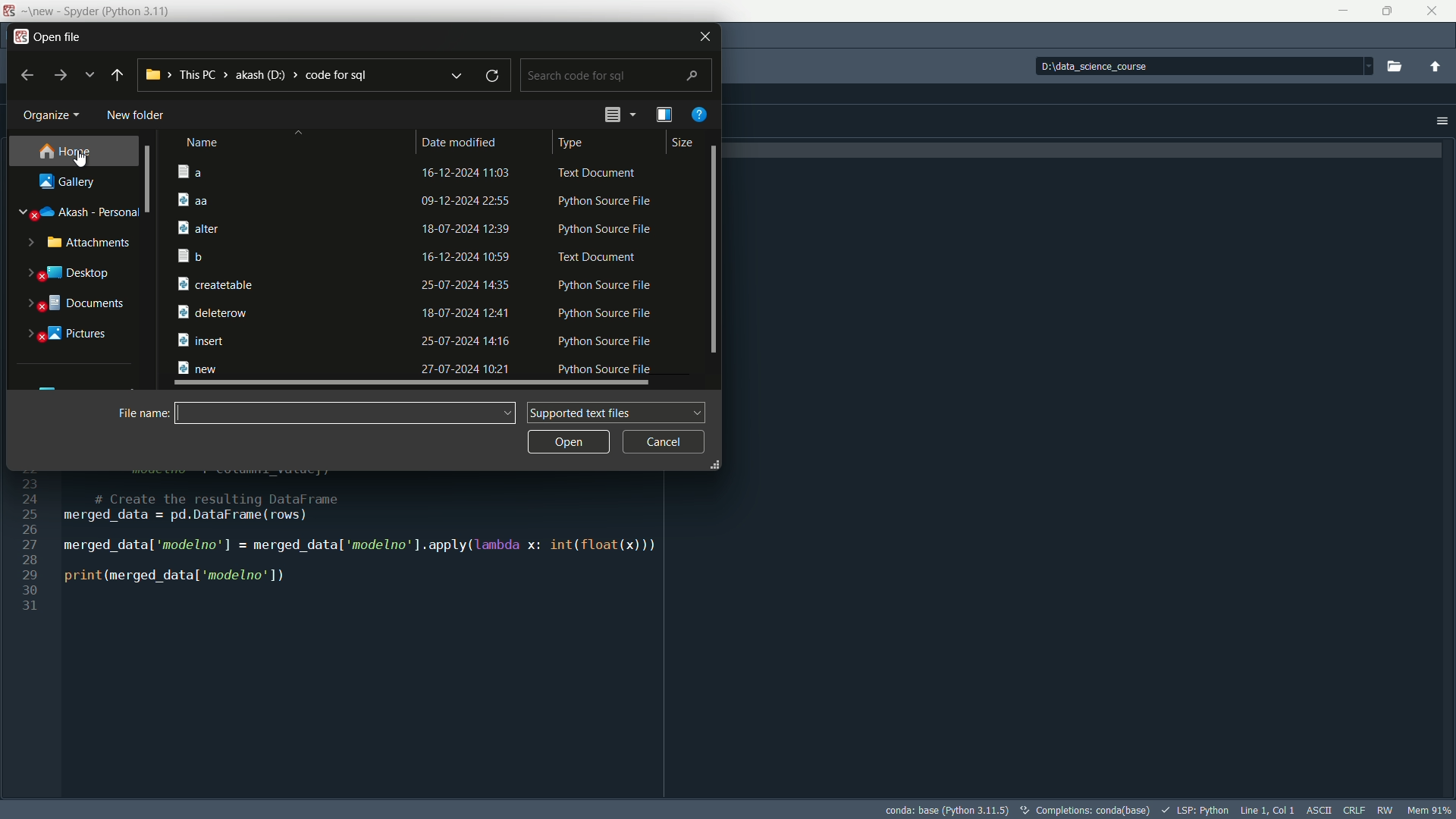 Image resolution: width=1456 pixels, height=819 pixels. I want to click on file name, so click(282, 312).